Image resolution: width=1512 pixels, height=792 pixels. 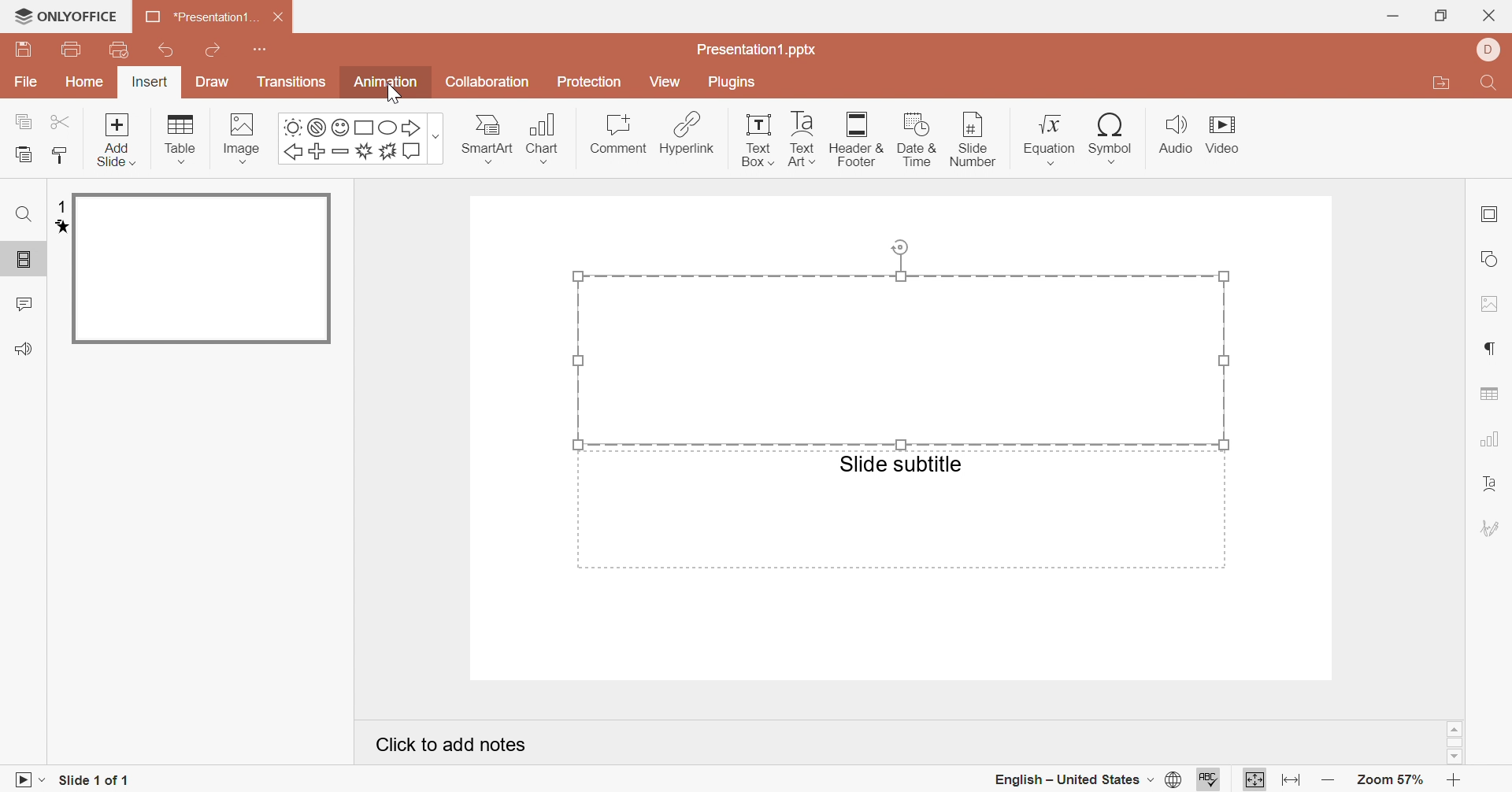 What do you see at coordinates (387, 153) in the screenshot?
I see `ast` at bounding box center [387, 153].